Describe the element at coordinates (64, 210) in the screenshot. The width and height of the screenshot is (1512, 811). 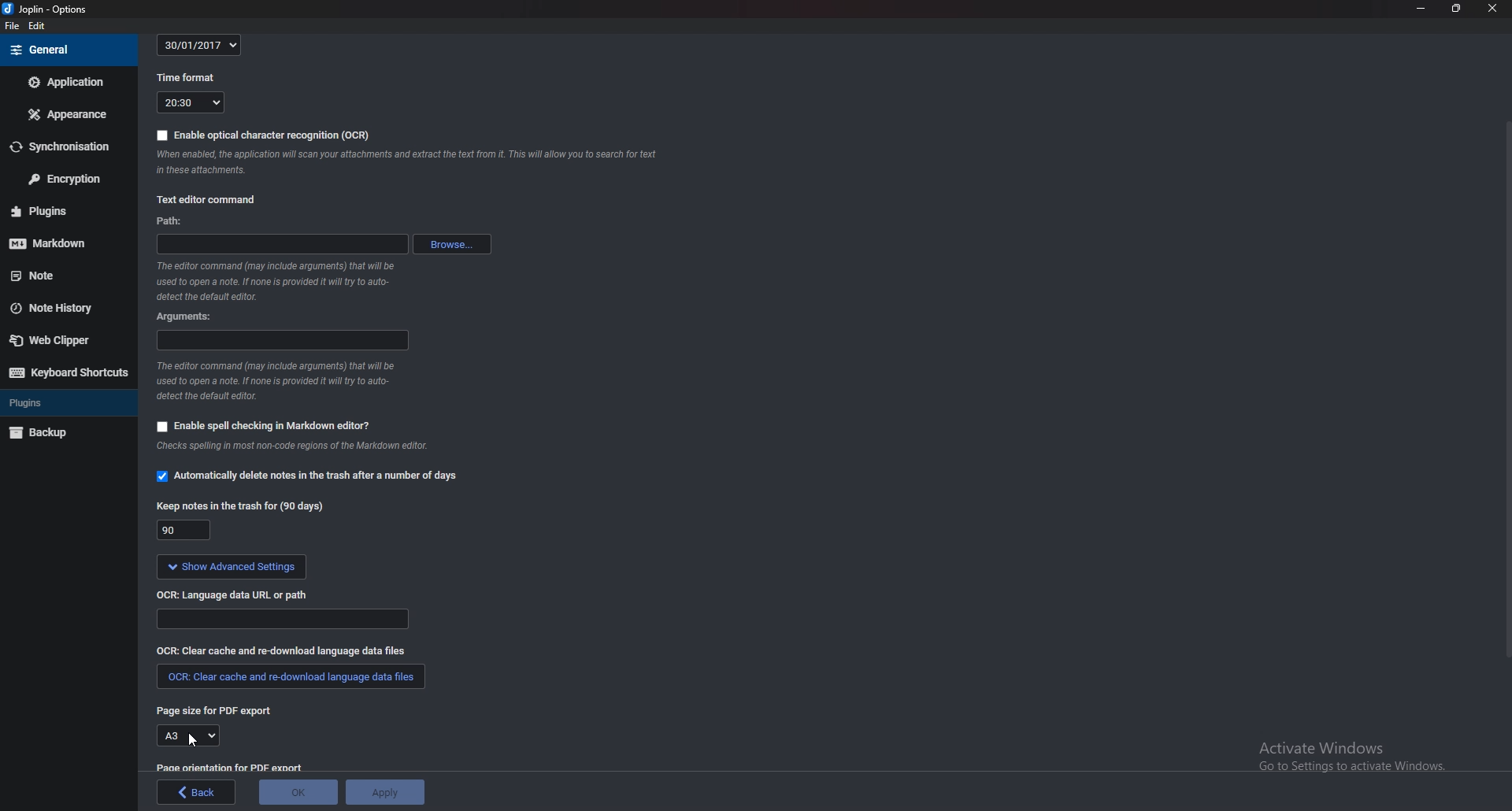
I see `Plugins` at that location.